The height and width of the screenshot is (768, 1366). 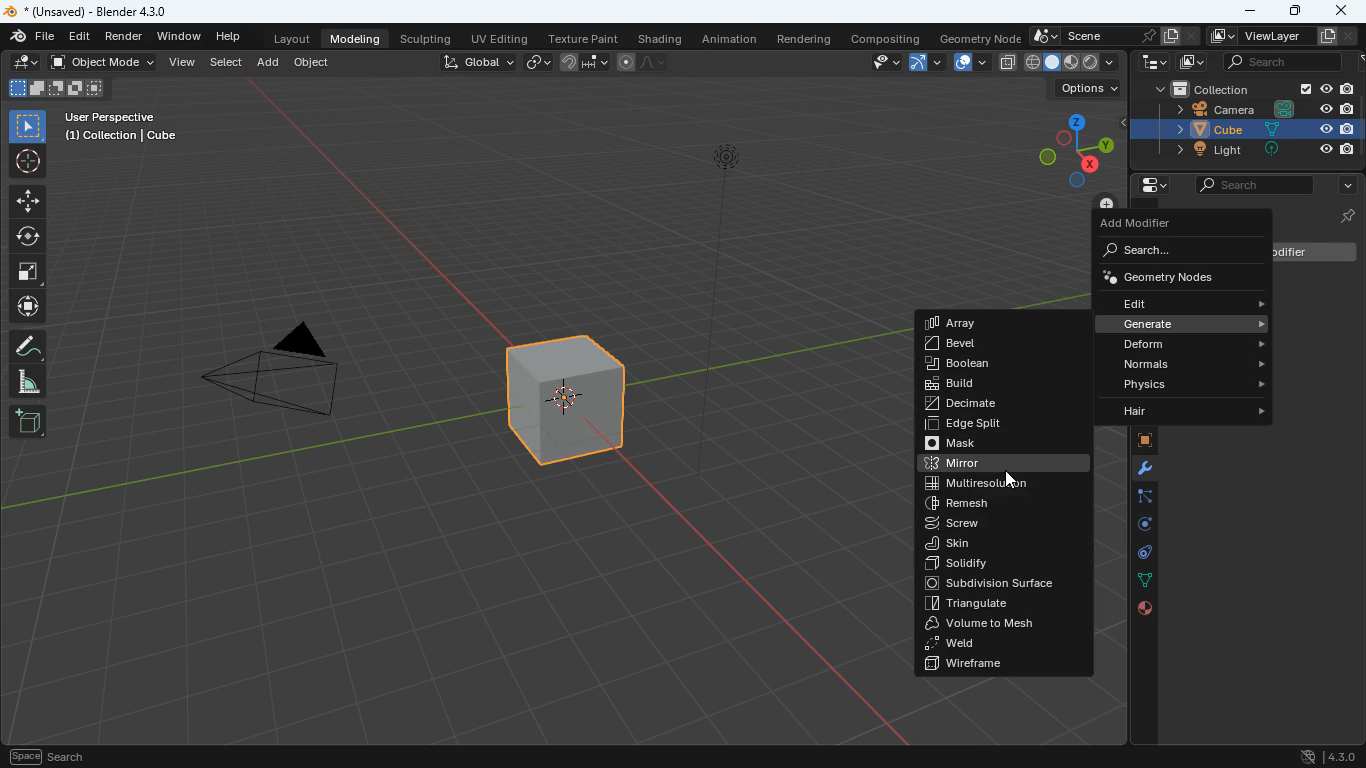 I want to click on add, so click(x=27, y=422).